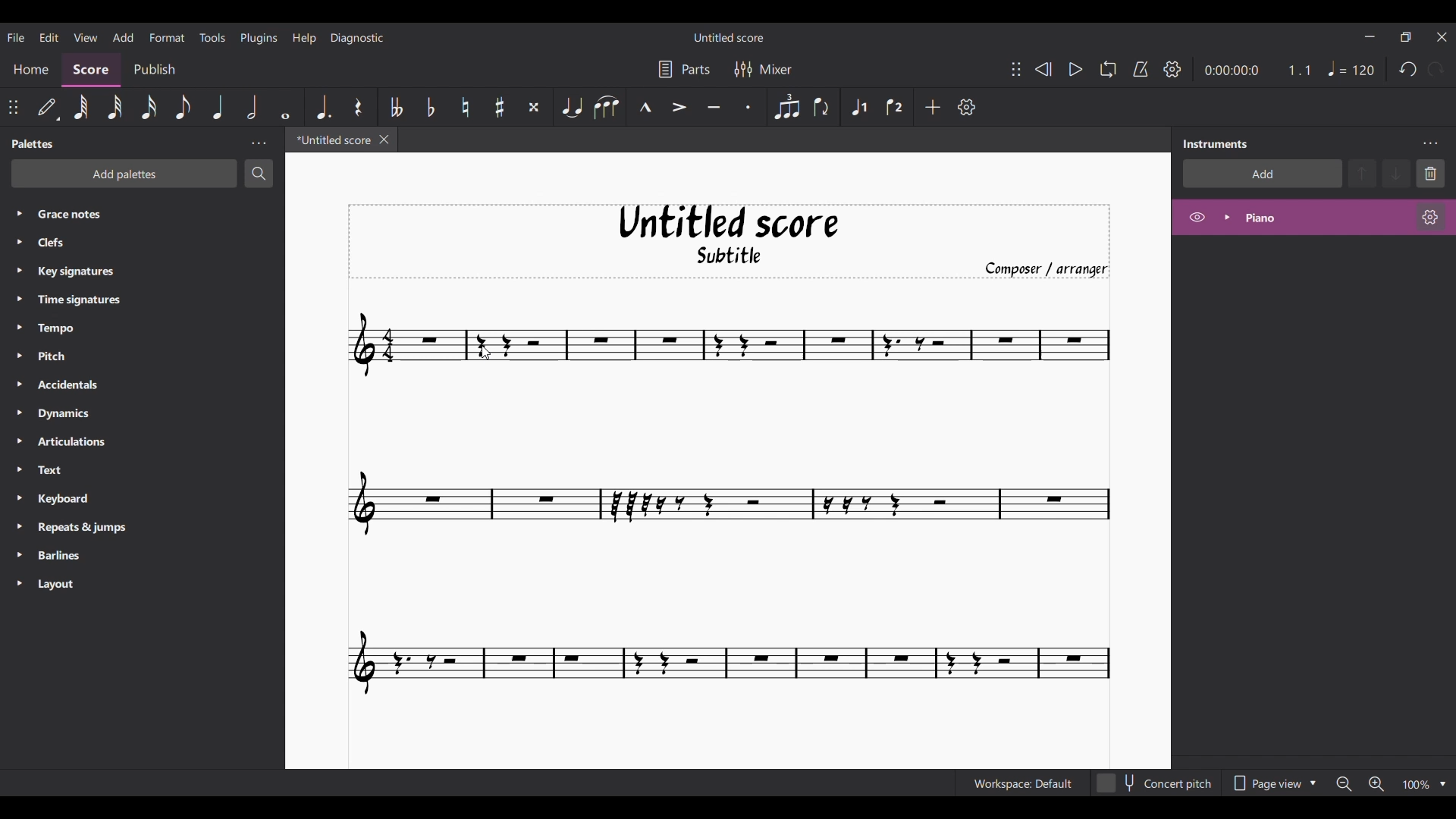  Describe the element at coordinates (1197, 218) in the screenshot. I see `Hide piano` at that location.